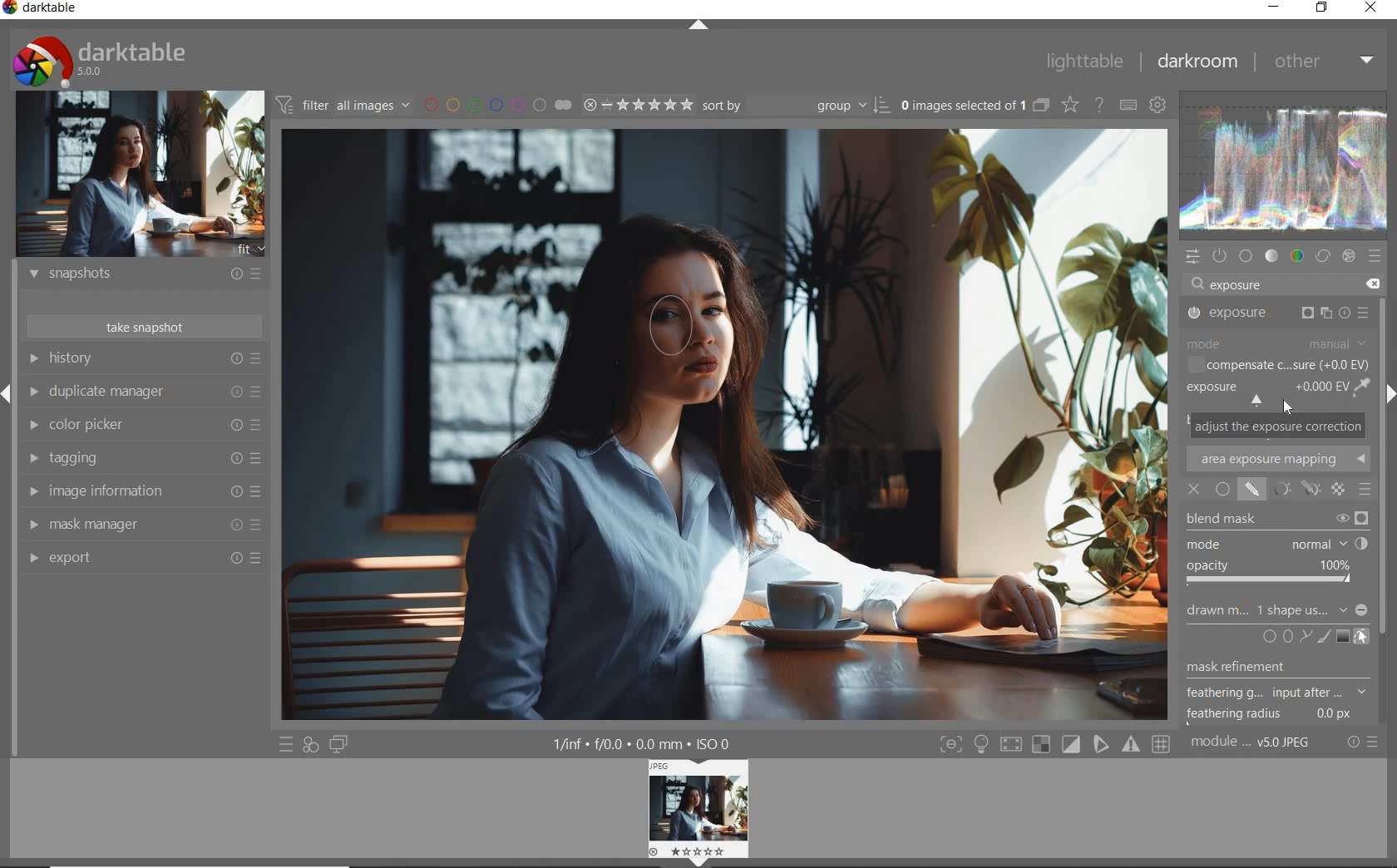 The width and height of the screenshot is (1397, 868). What do you see at coordinates (695, 812) in the screenshot?
I see `image preview` at bounding box center [695, 812].